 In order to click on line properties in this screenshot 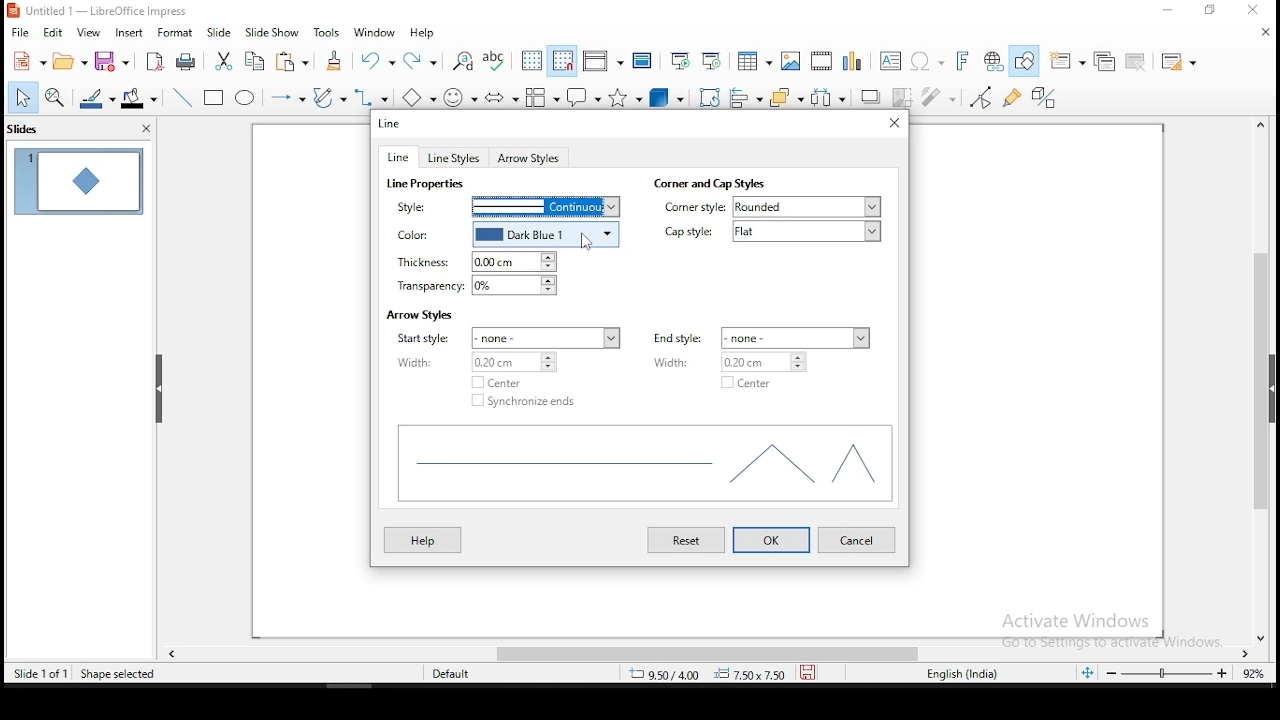, I will do `click(428, 184)`.